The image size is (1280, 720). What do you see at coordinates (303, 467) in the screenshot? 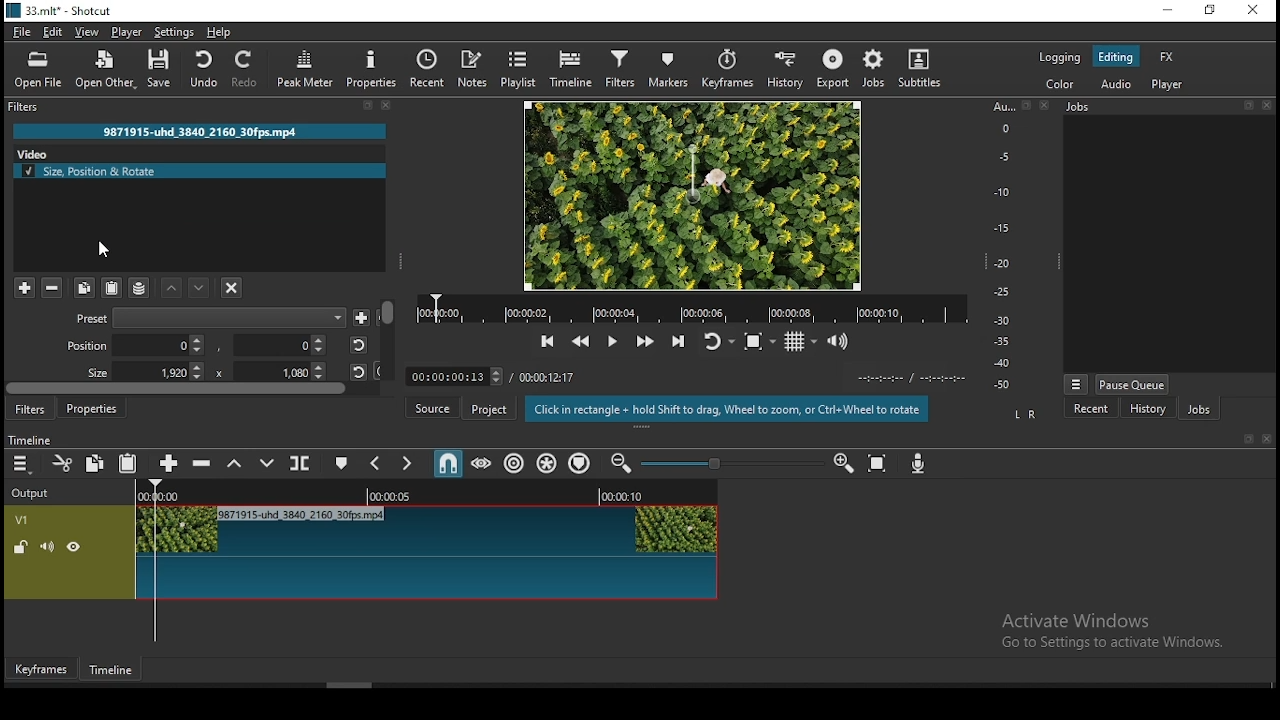
I see `split at playhead` at bounding box center [303, 467].